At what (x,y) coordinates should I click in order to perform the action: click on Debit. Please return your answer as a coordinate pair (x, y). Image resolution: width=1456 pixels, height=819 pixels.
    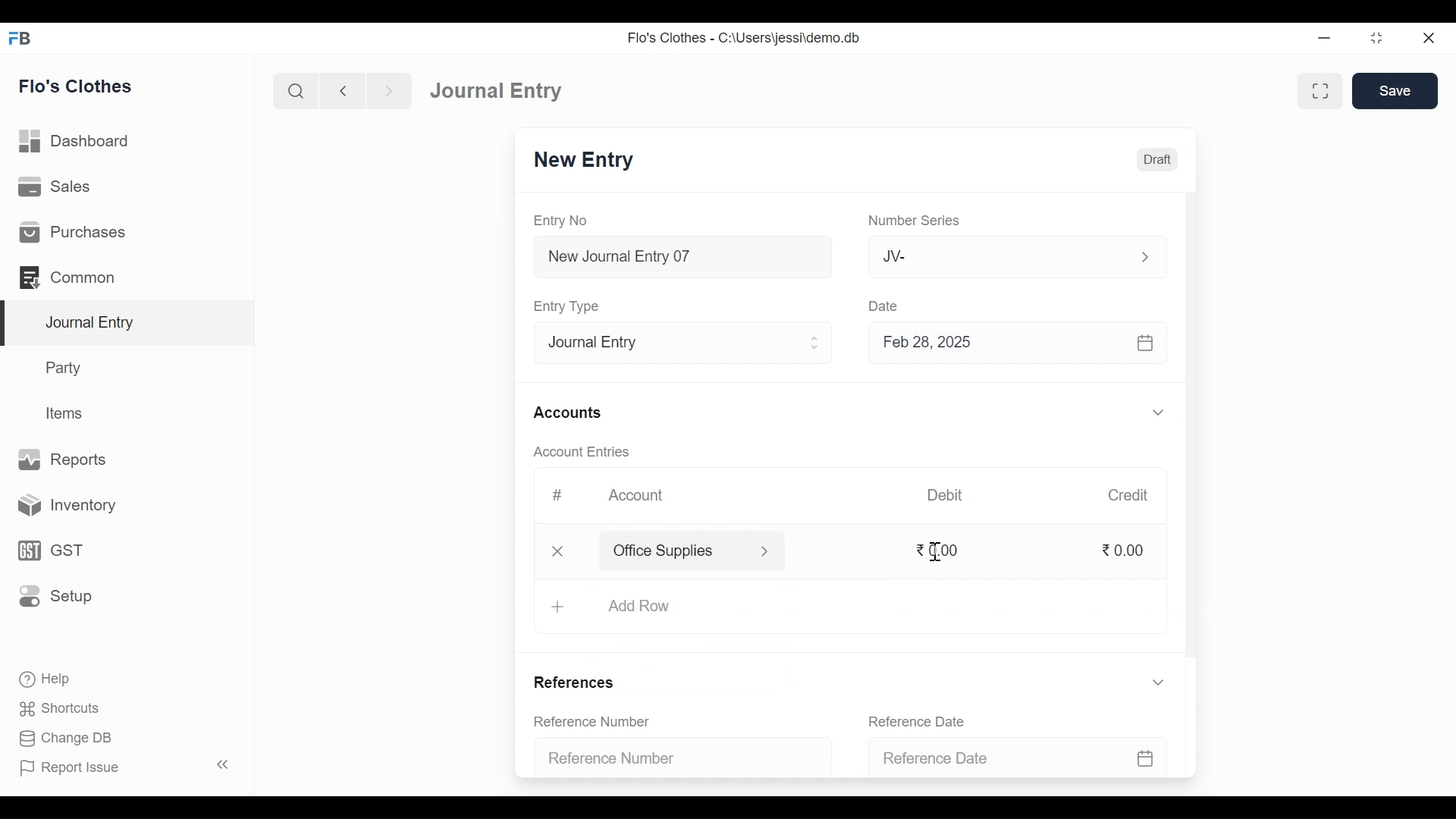
    Looking at the image, I should click on (943, 495).